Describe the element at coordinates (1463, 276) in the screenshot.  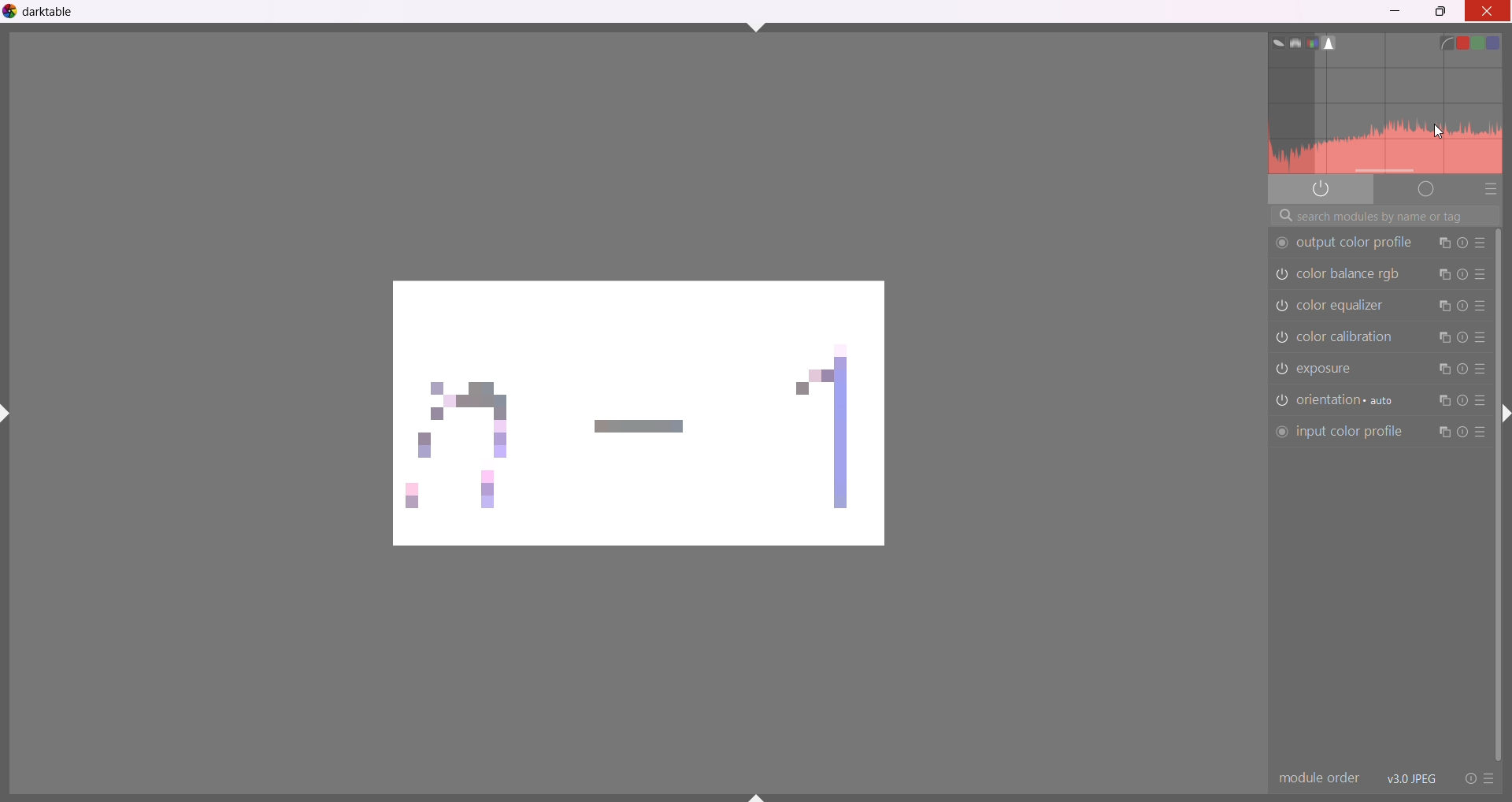
I see `reset parameters` at that location.